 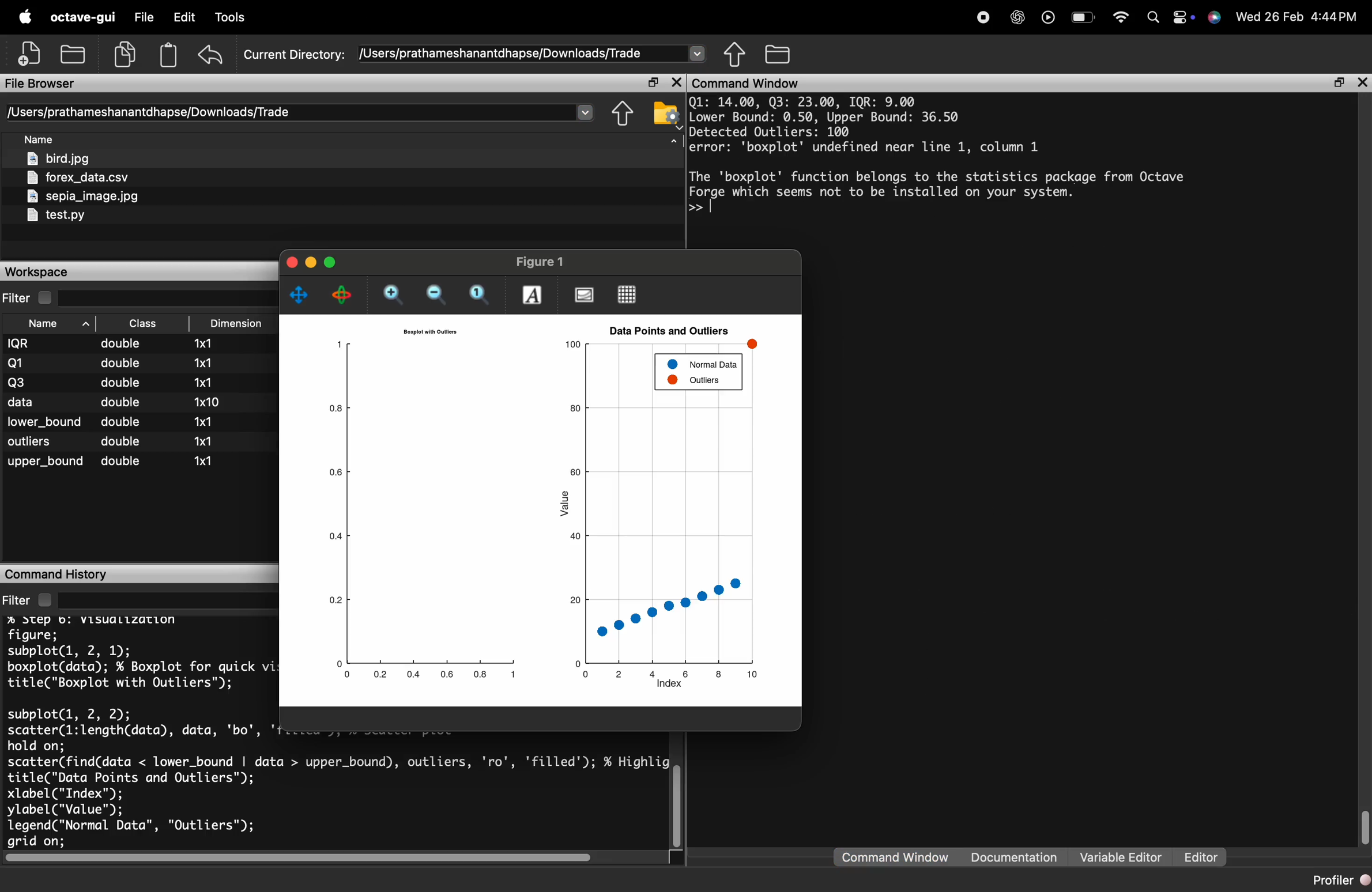 I want to click on figure;

subplot(l, 2, 1);

boxplot(data); % Boxplot for quick
title("Boxplot with Outliers");, so click(x=133, y=659).